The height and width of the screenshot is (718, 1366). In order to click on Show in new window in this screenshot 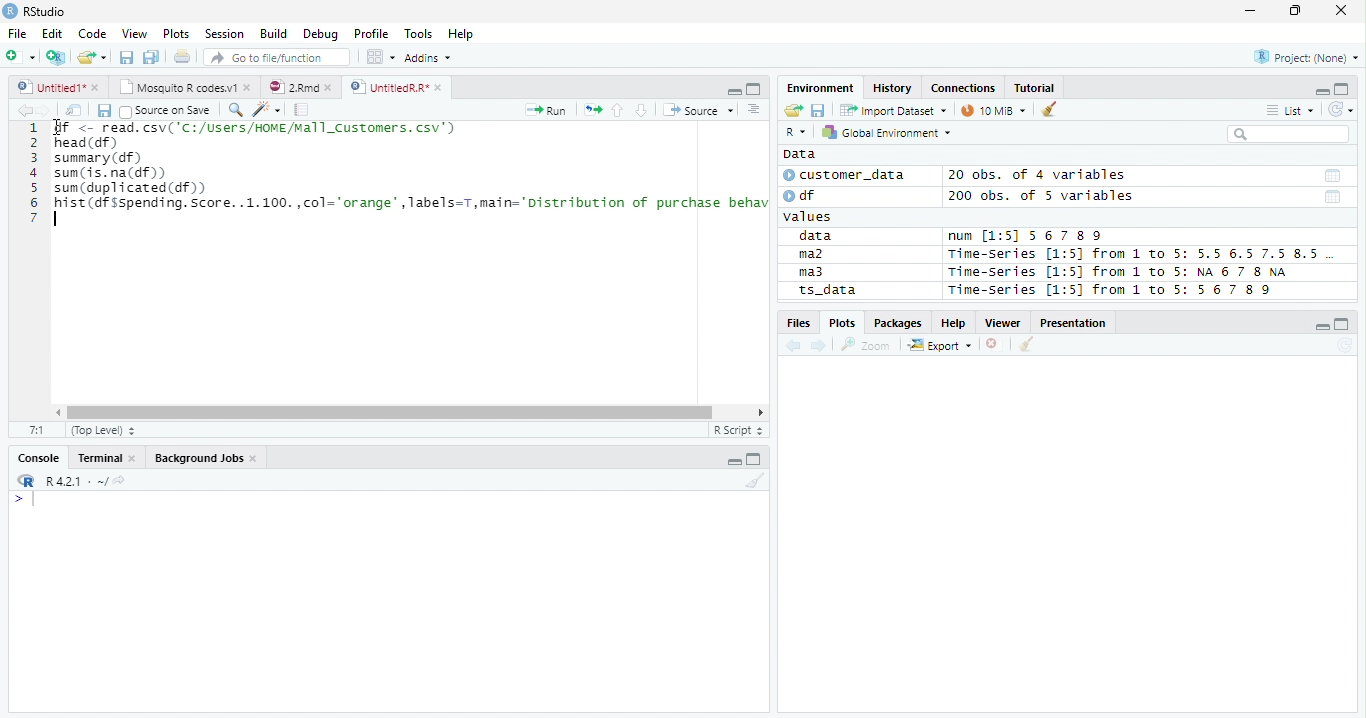, I will do `click(75, 110)`.